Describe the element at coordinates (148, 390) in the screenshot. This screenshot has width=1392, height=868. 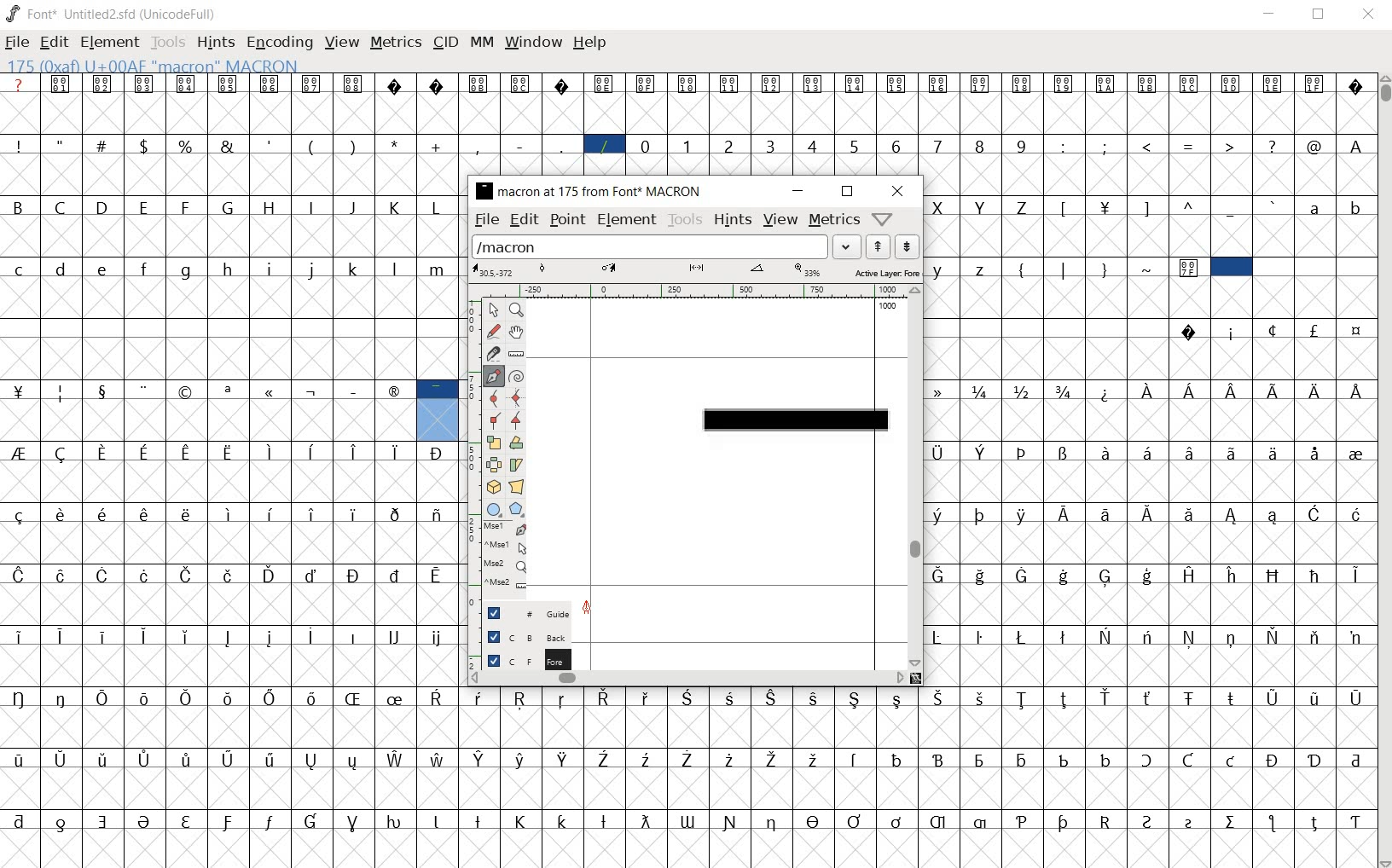
I see `Symbol` at that location.